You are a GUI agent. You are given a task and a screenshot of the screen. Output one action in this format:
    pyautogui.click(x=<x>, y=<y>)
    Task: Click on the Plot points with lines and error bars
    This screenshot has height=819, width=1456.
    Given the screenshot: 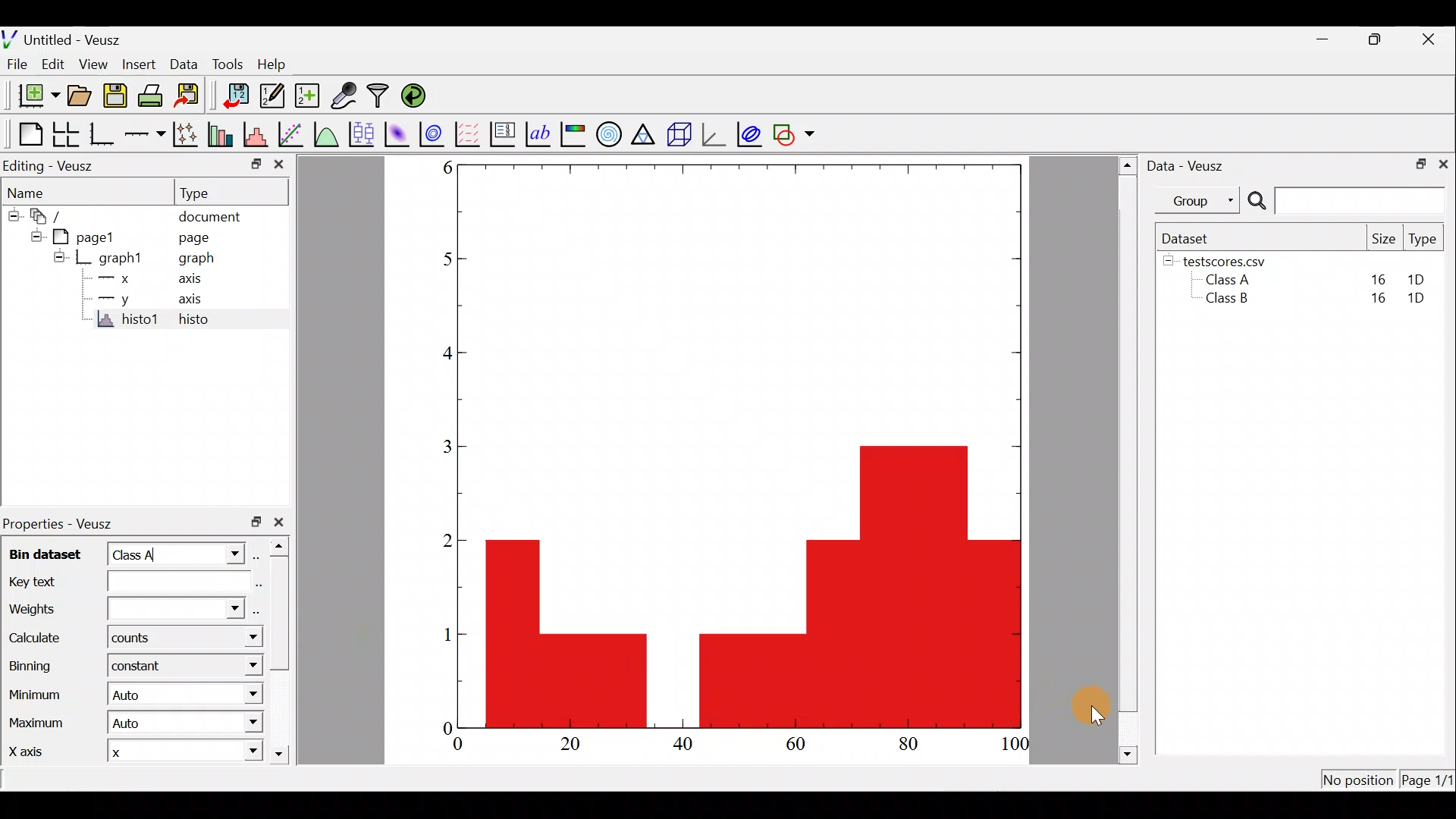 What is the action you would take?
    pyautogui.click(x=186, y=134)
    